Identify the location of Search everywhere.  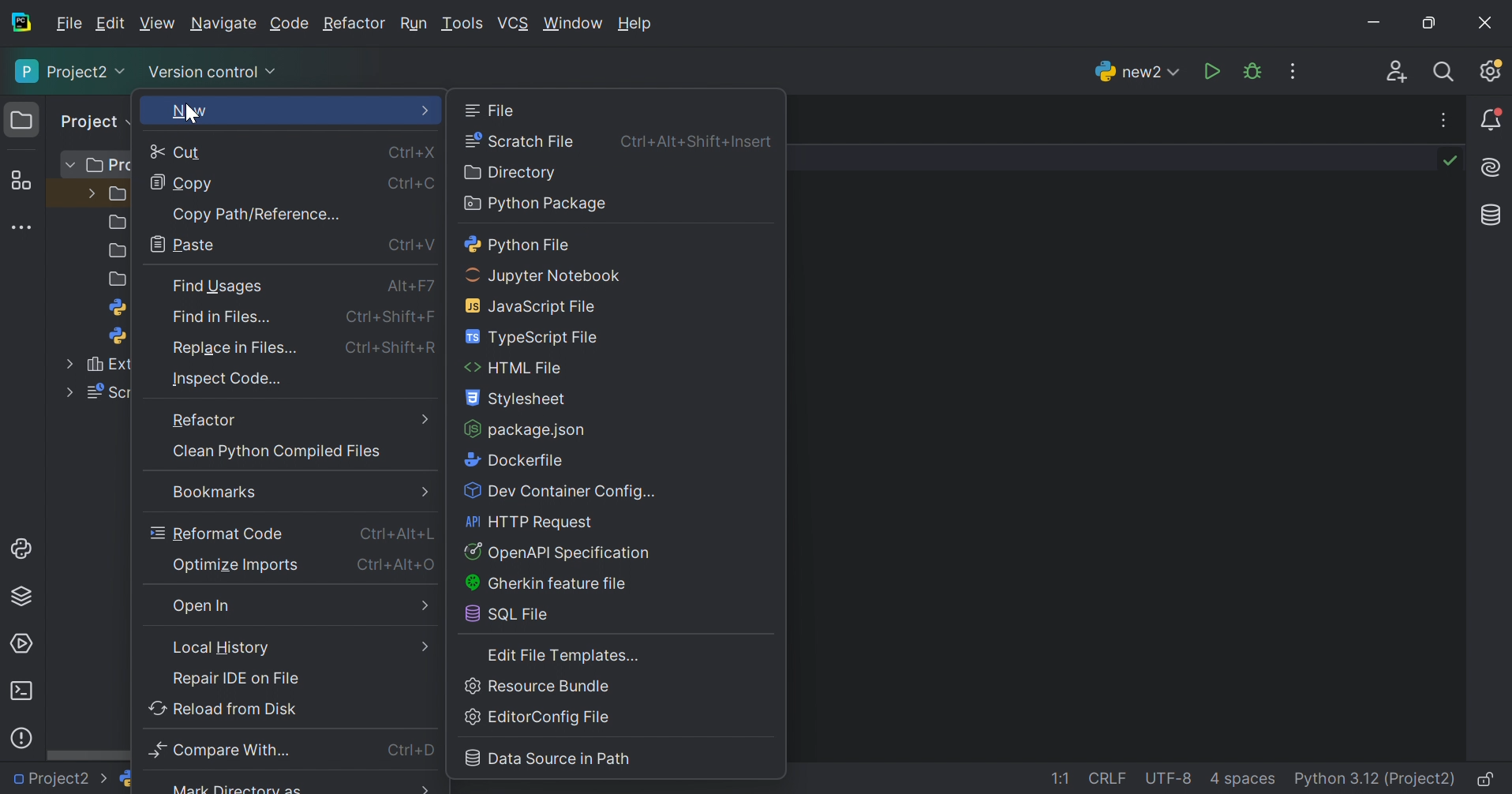
(1447, 73).